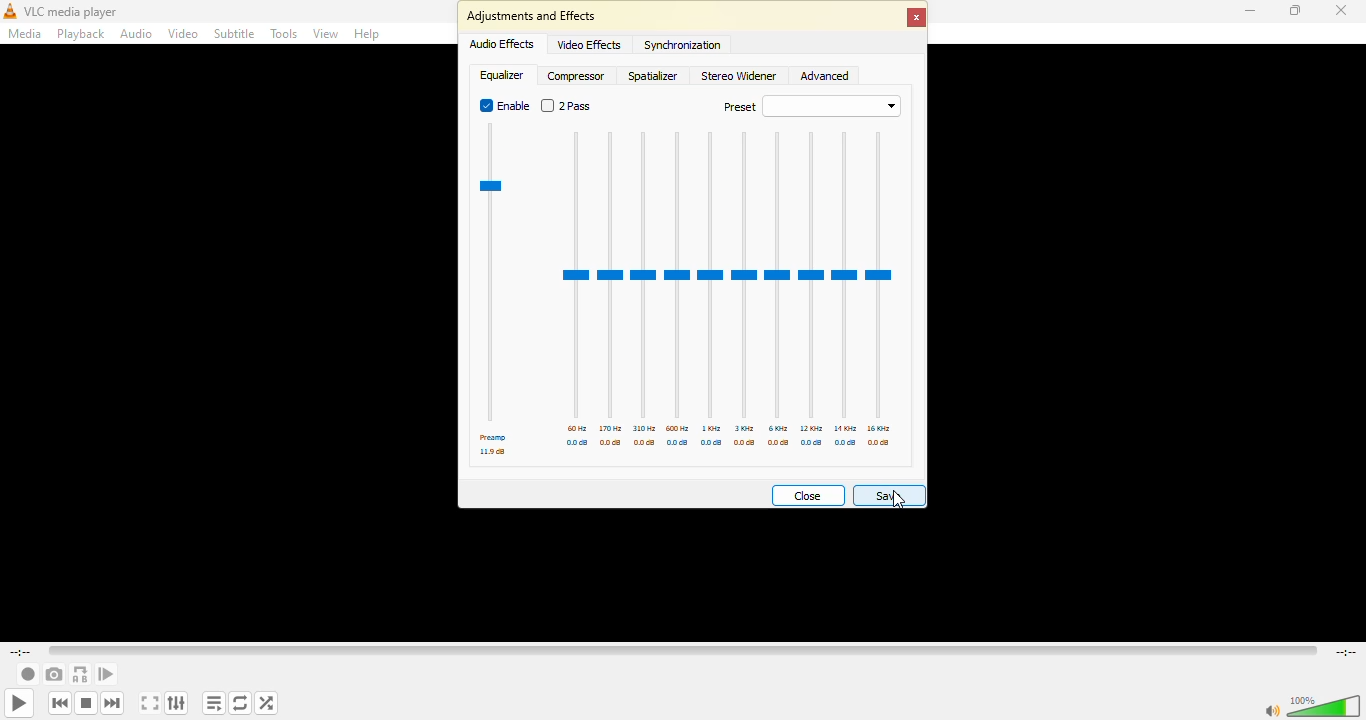  What do you see at coordinates (284, 34) in the screenshot?
I see `tools` at bounding box center [284, 34].